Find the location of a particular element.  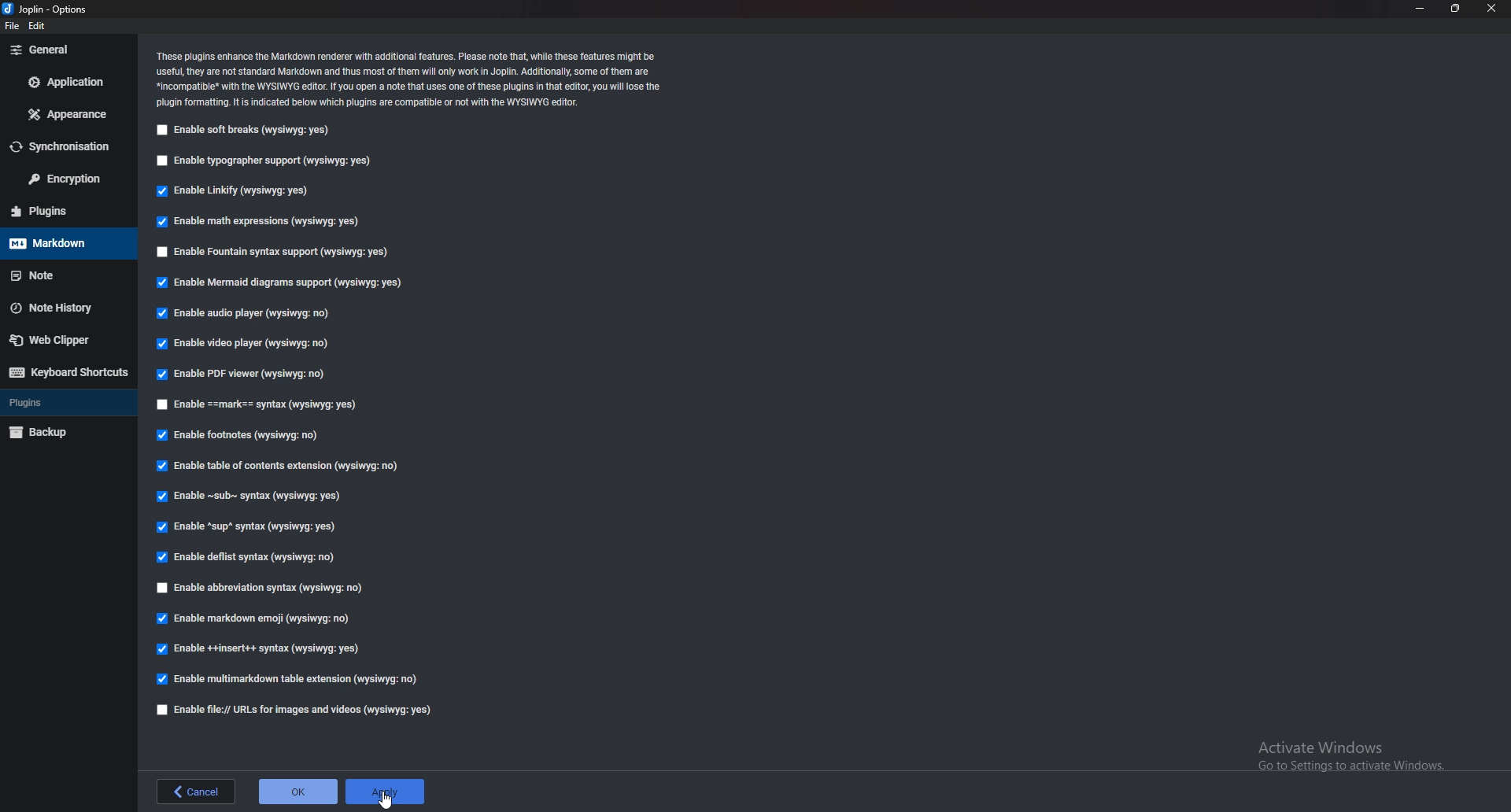

Backup is located at coordinates (64, 431).